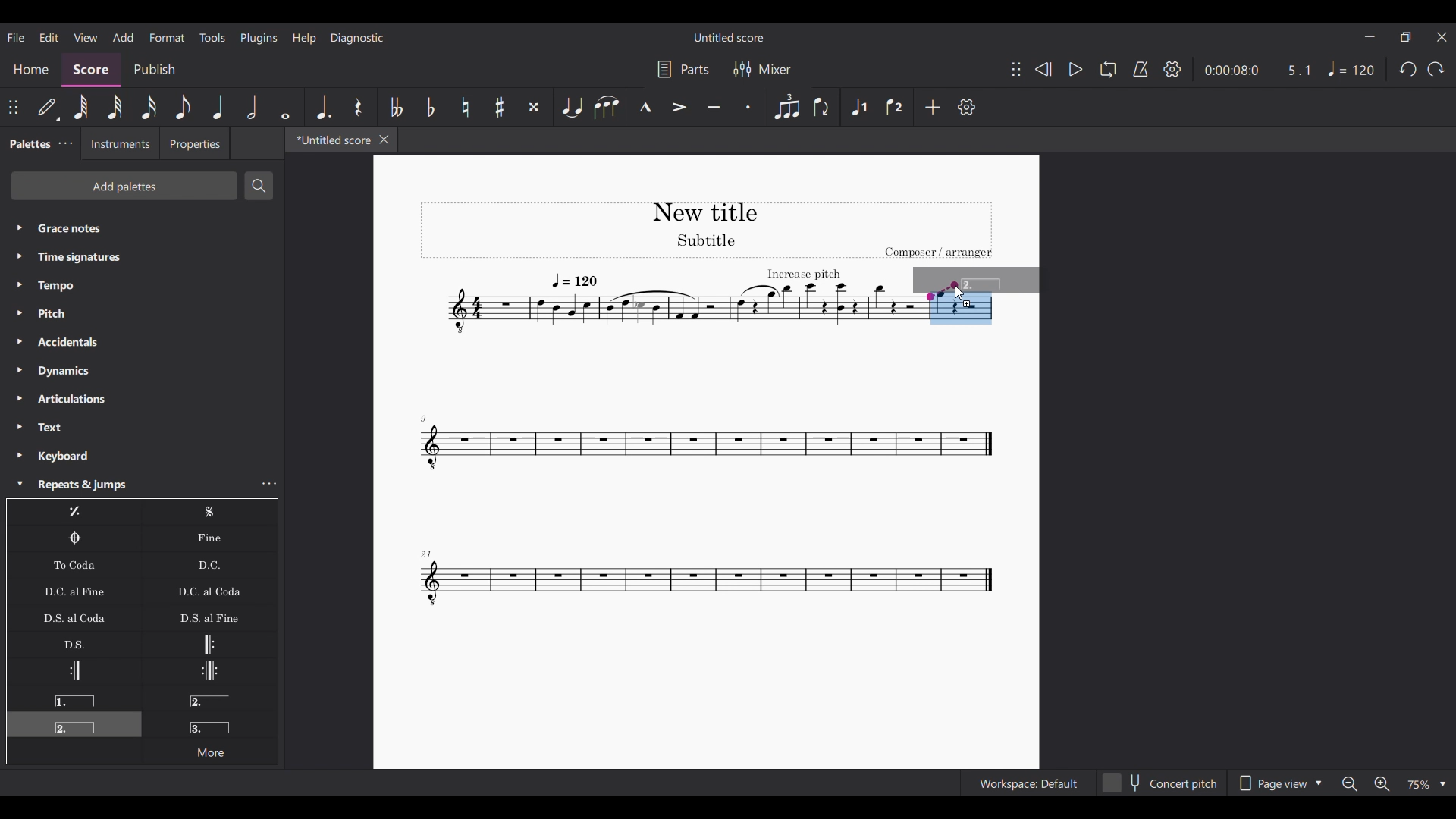  What do you see at coordinates (305, 39) in the screenshot?
I see `Help menu` at bounding box center [305, 39].